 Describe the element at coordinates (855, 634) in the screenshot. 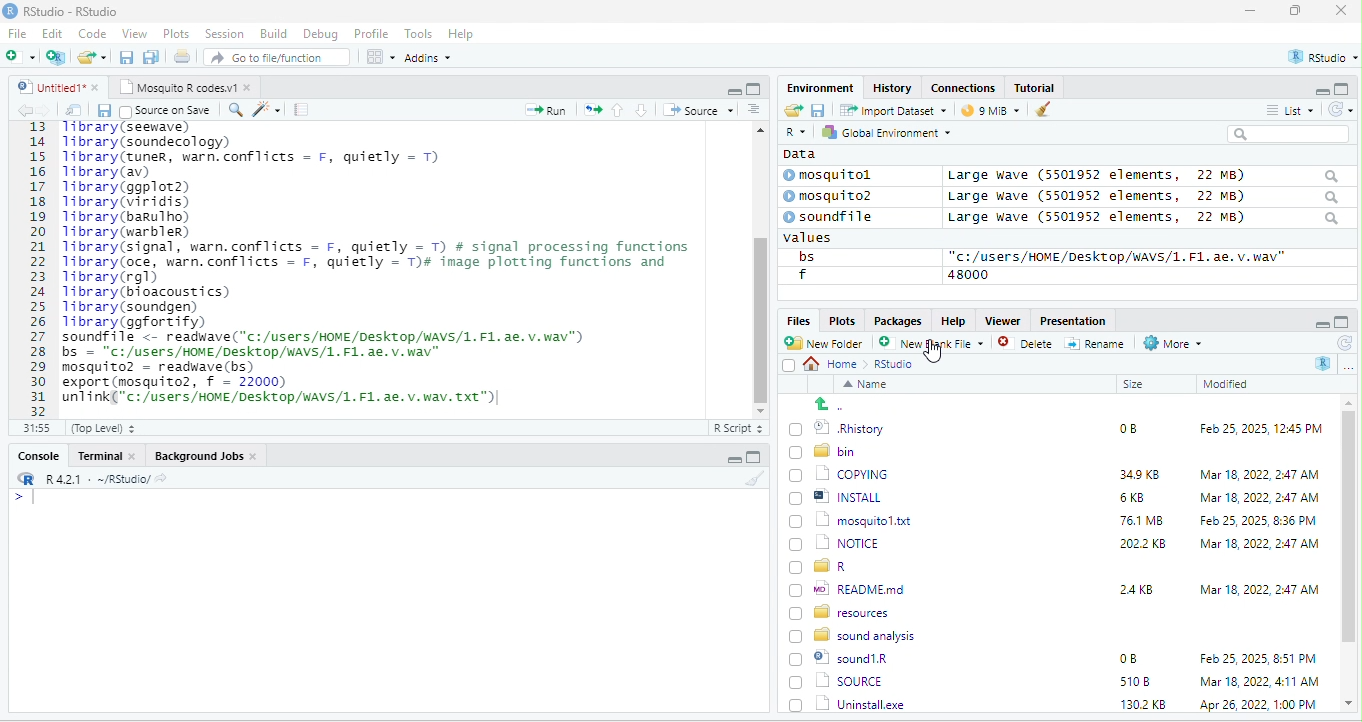

I see `8 sound analysis` at that location.